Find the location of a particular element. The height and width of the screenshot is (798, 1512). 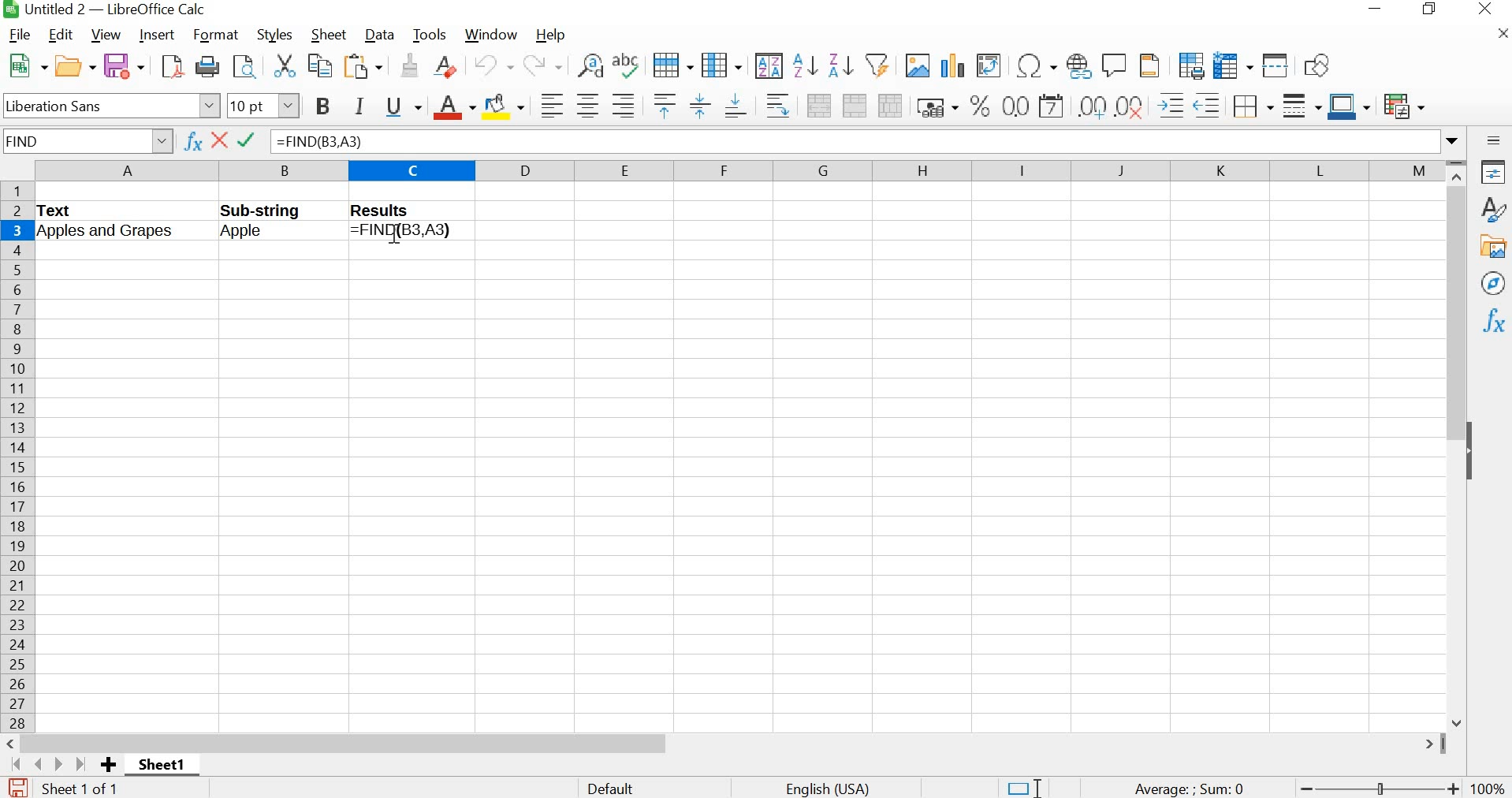

align center is located at coordinates (586, 105).